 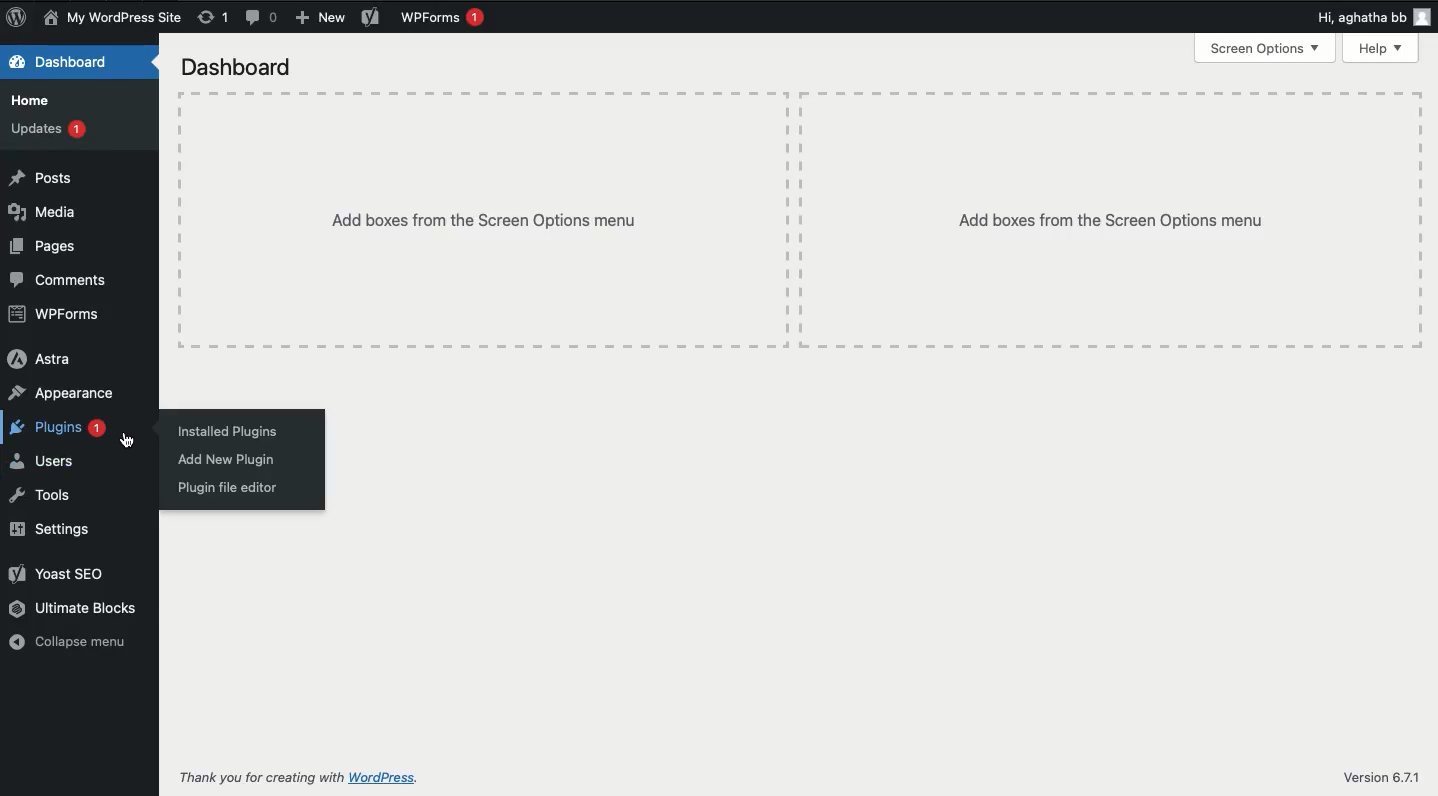 I want to click on Name, so click(x=115, y=19).